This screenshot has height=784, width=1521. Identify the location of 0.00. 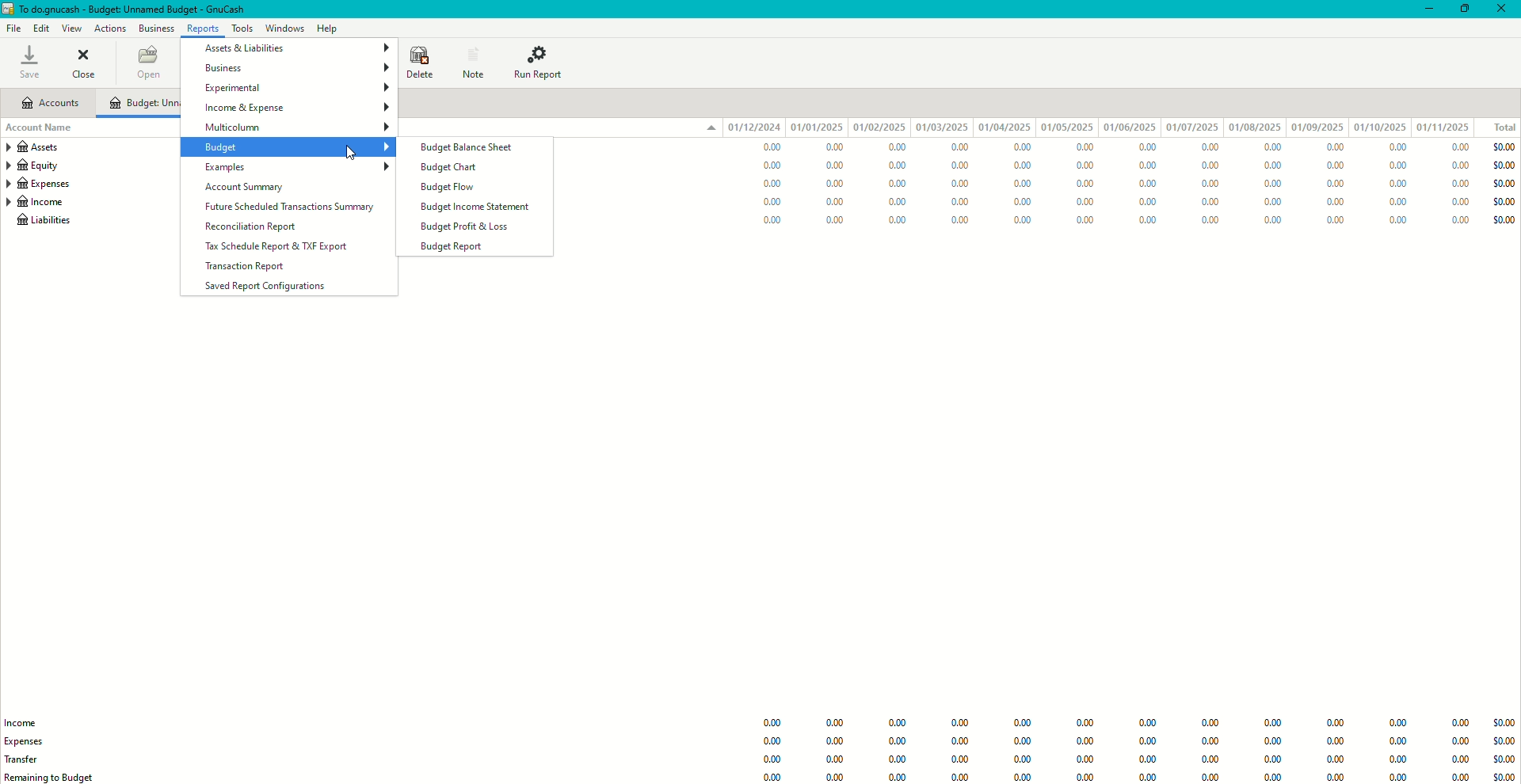
(898, 723).